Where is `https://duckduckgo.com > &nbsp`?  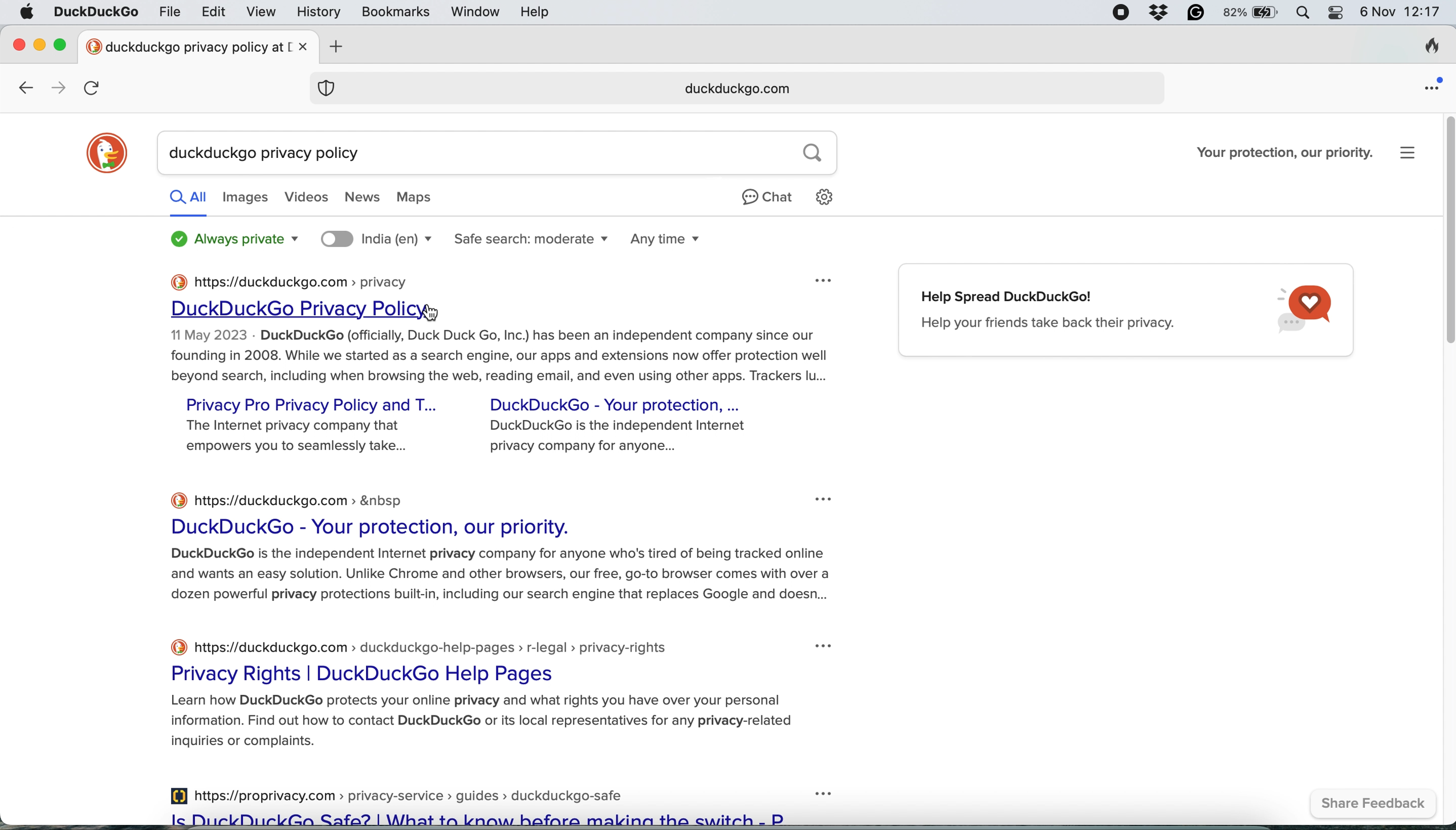 https://duckduckgo.com > &nbsp is located at coordinates (280, 494).